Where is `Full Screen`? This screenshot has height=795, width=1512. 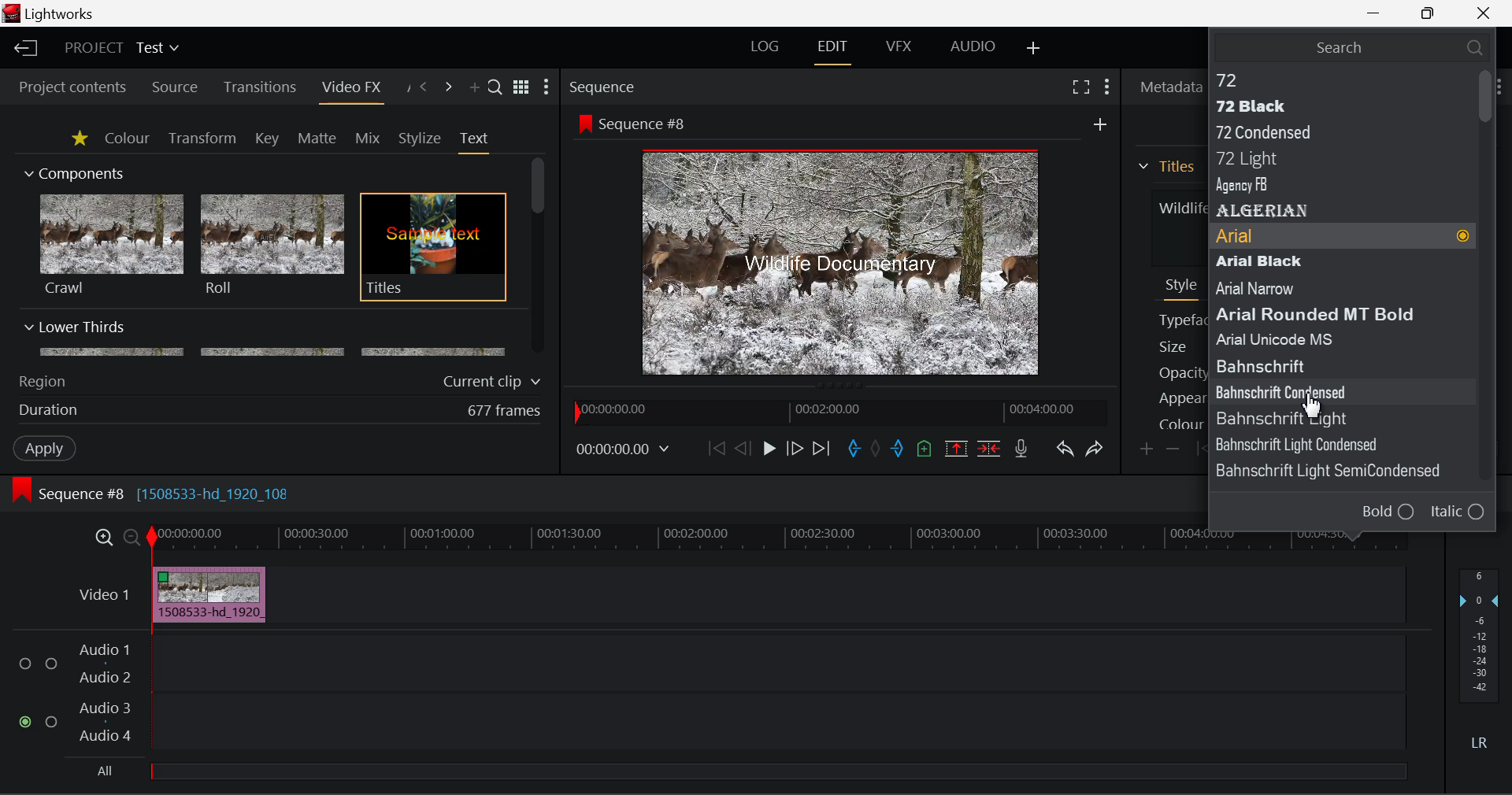 Full Screen is located at coordinates (1081, 86).